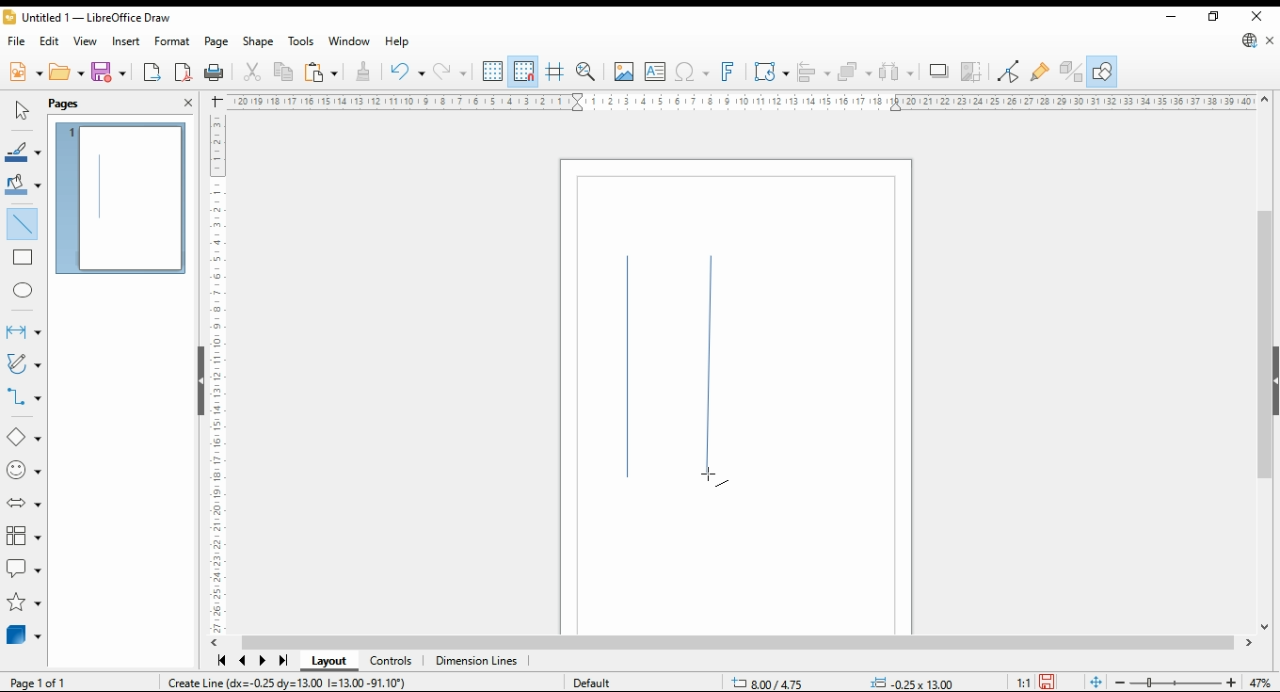 This screenshot has height=692, width=1280. What do you see at coordinates (398, 42) in the screenshot?
I see `help` at bounding box center [398, 42].